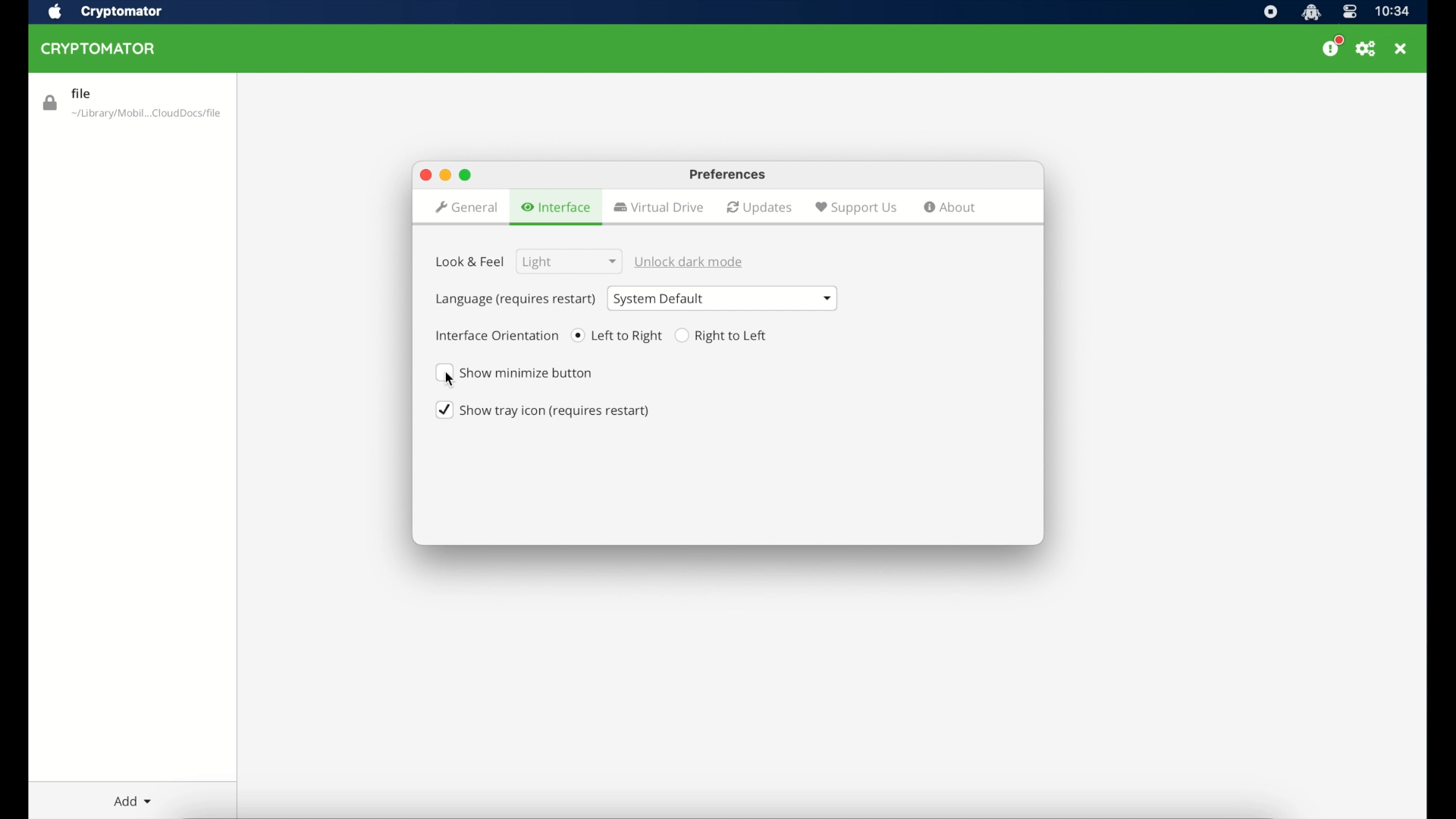 The height and width of the screenshot is (819, 1456). Describe the element at coordinates (617, 335) in the screenshot. I see `radio button` at that location.